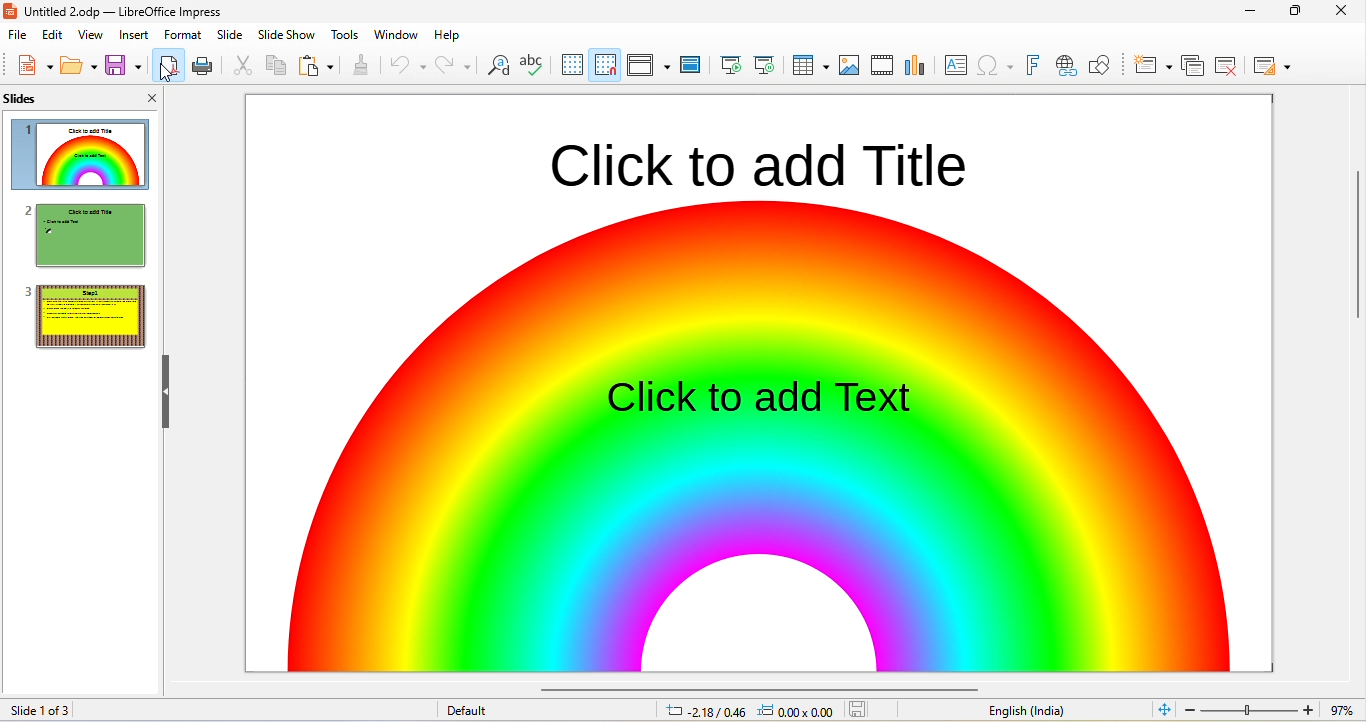 Image resolution: width=1366 pixels, height=722 pixels. What do you see at coordinates (1357, 268) in the screenshot?
I see `vertical scroll bar` at bounding box center [1357, 268].